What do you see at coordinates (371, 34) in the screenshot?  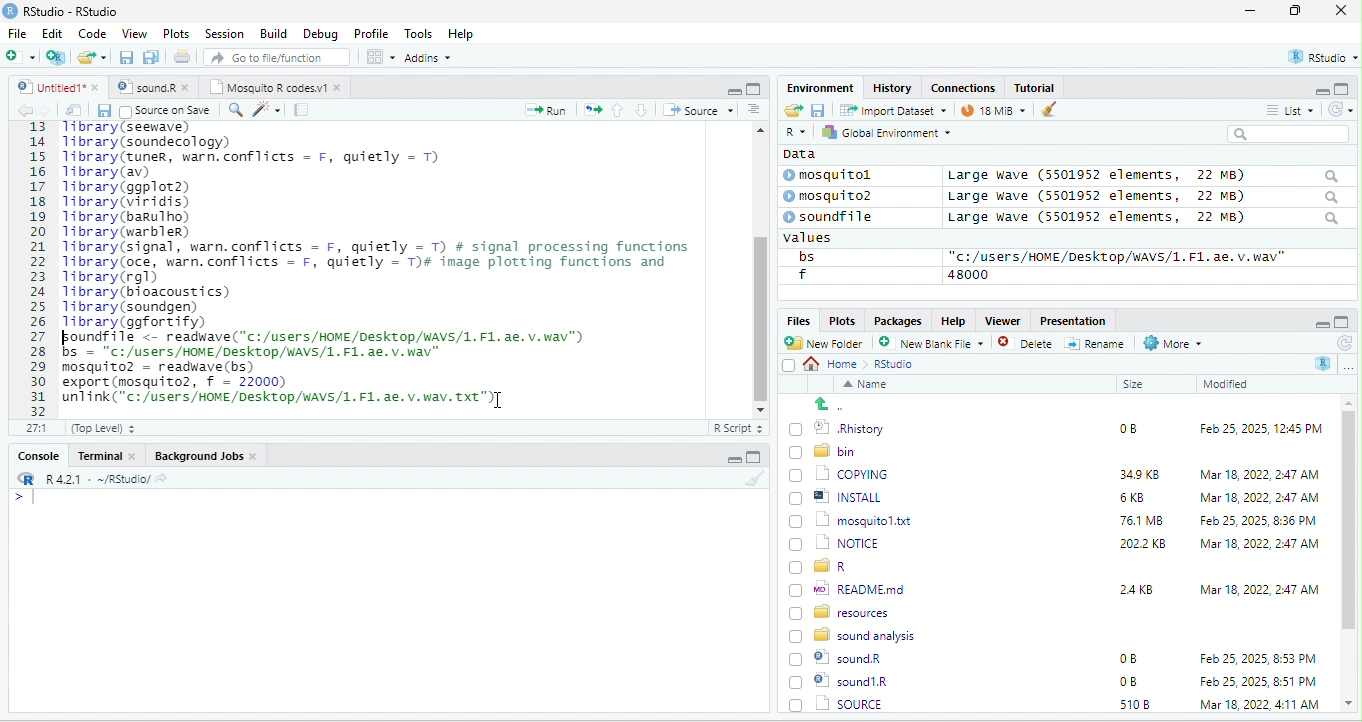 I see `Profile` at bounding box center [371, 34].